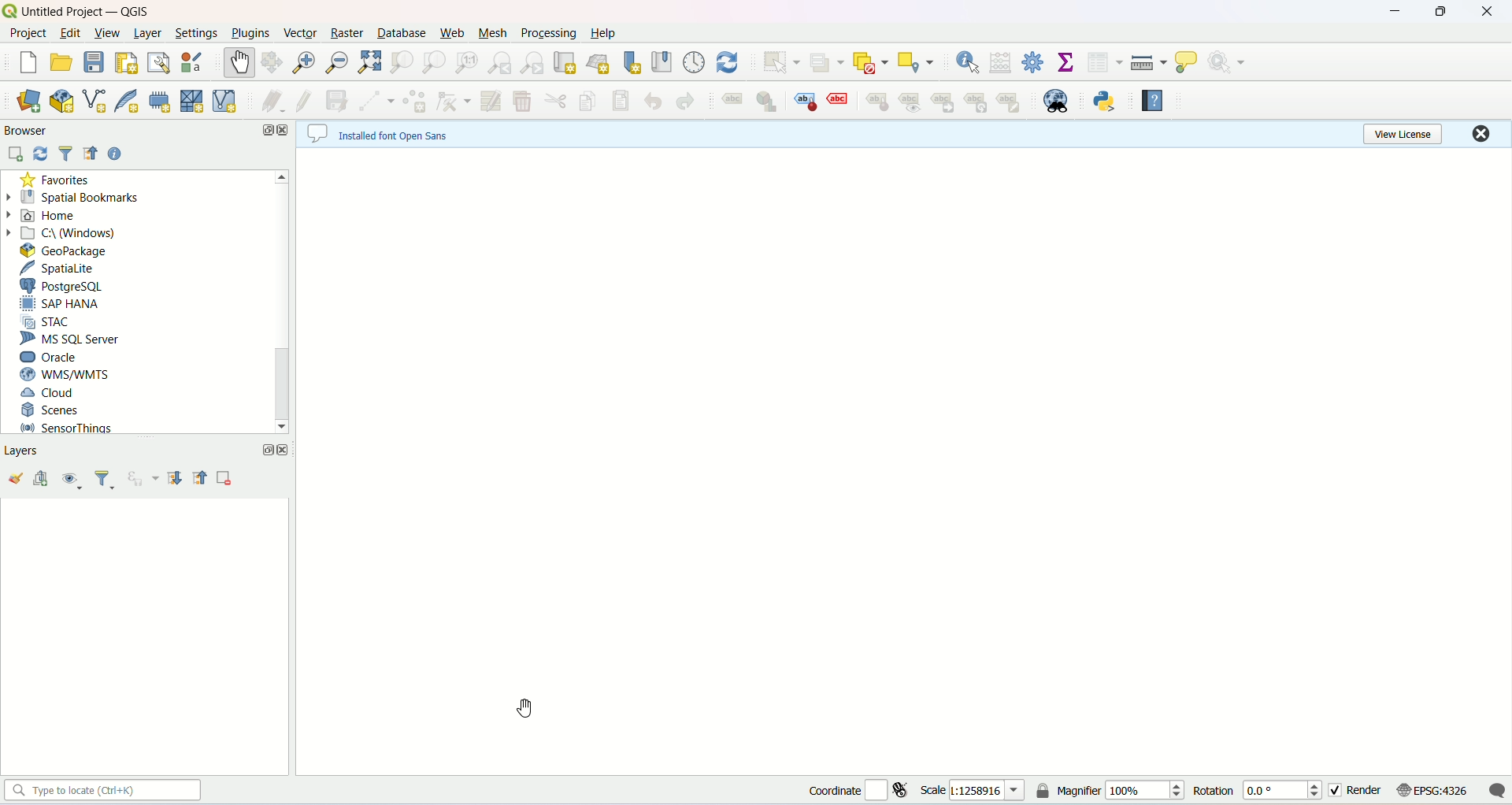 The height and width of the screenshot is (805, 1512). Describe the element at coordinates (103, 793) in the screenshot. I see `type to locate` at that location.